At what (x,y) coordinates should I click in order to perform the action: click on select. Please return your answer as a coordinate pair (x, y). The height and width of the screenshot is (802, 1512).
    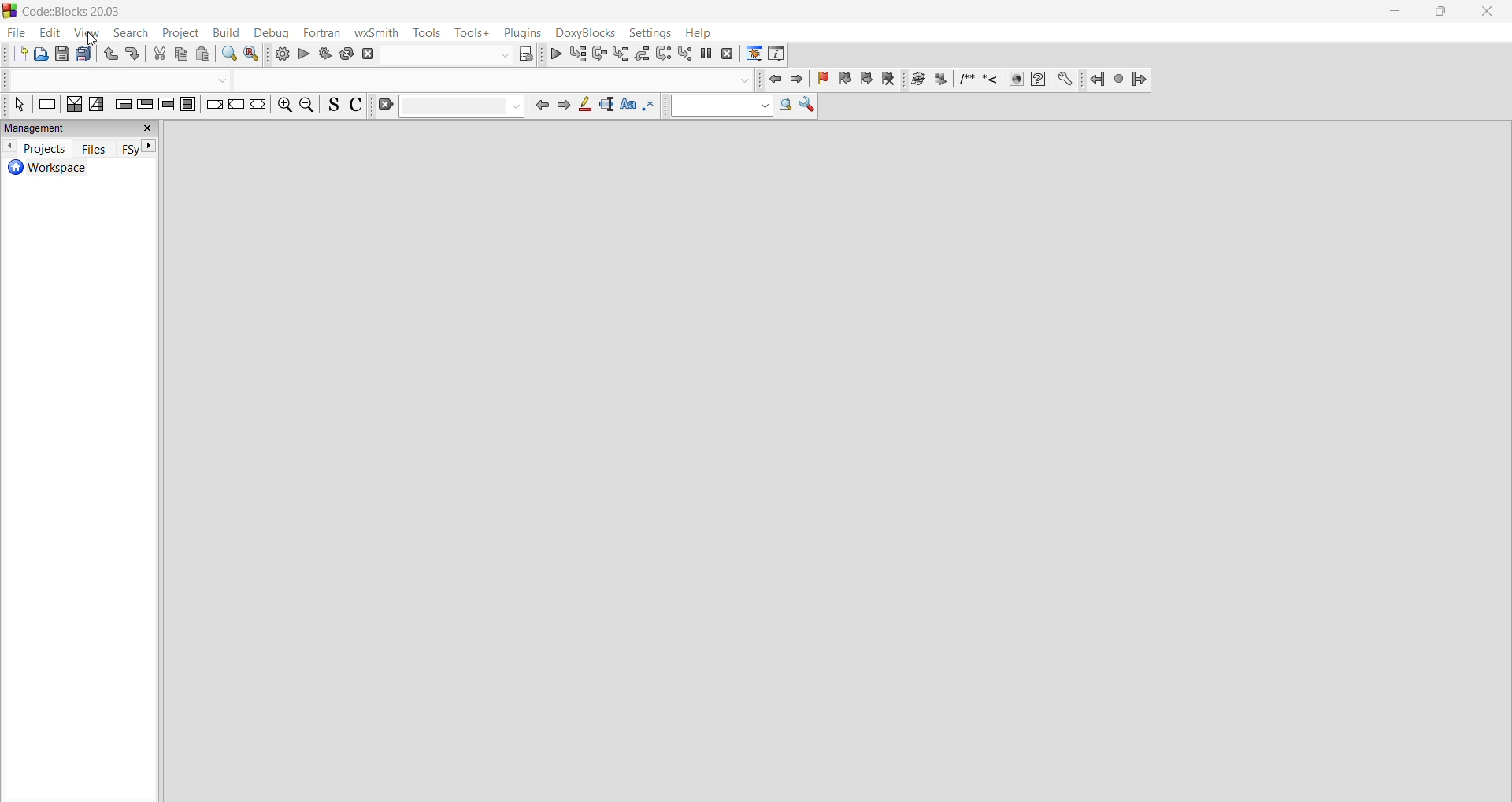
    Looking at the image, I should click on (17, 107).